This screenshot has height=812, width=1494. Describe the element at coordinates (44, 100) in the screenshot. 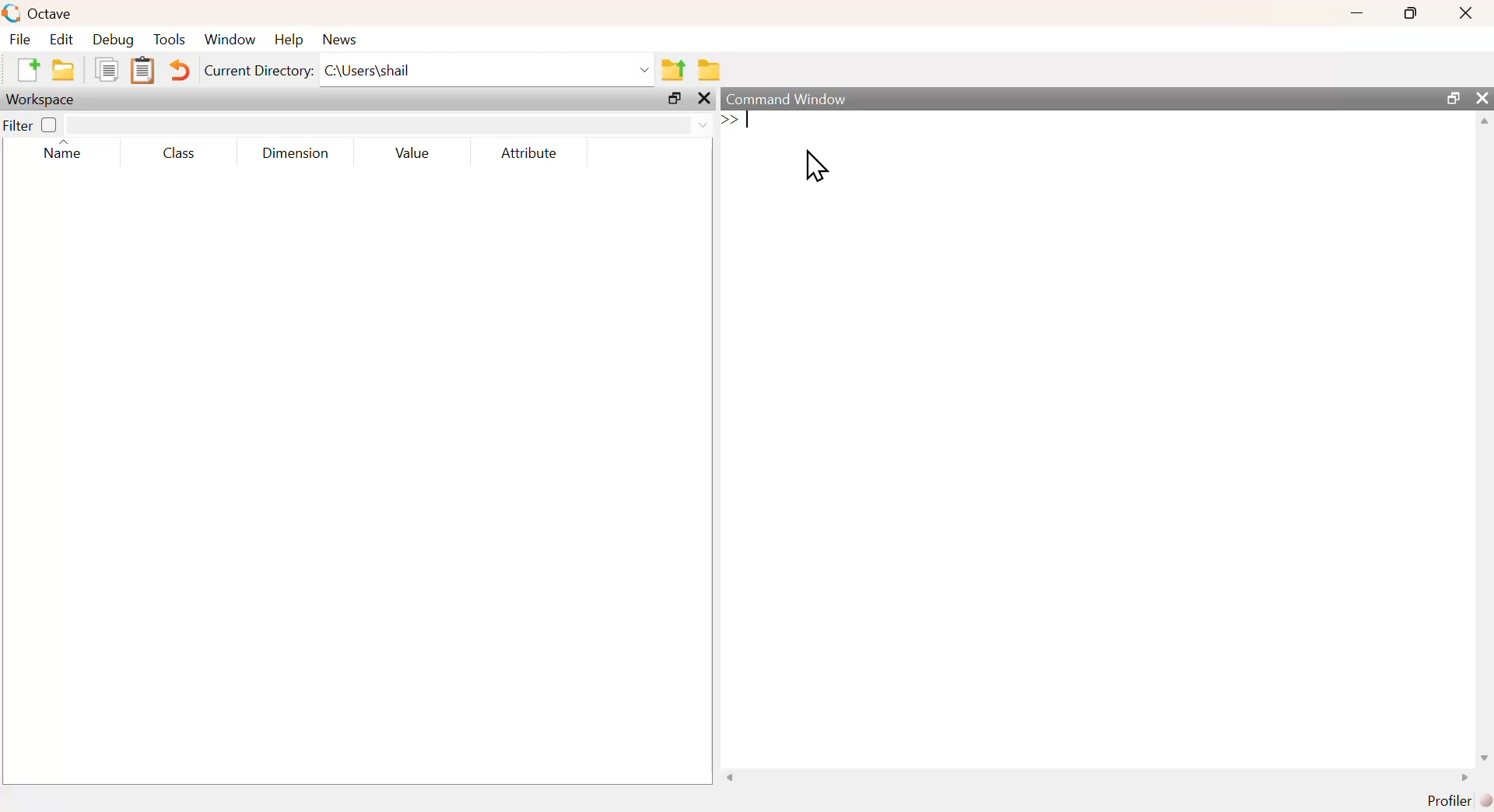

I see `workspace` at that location.